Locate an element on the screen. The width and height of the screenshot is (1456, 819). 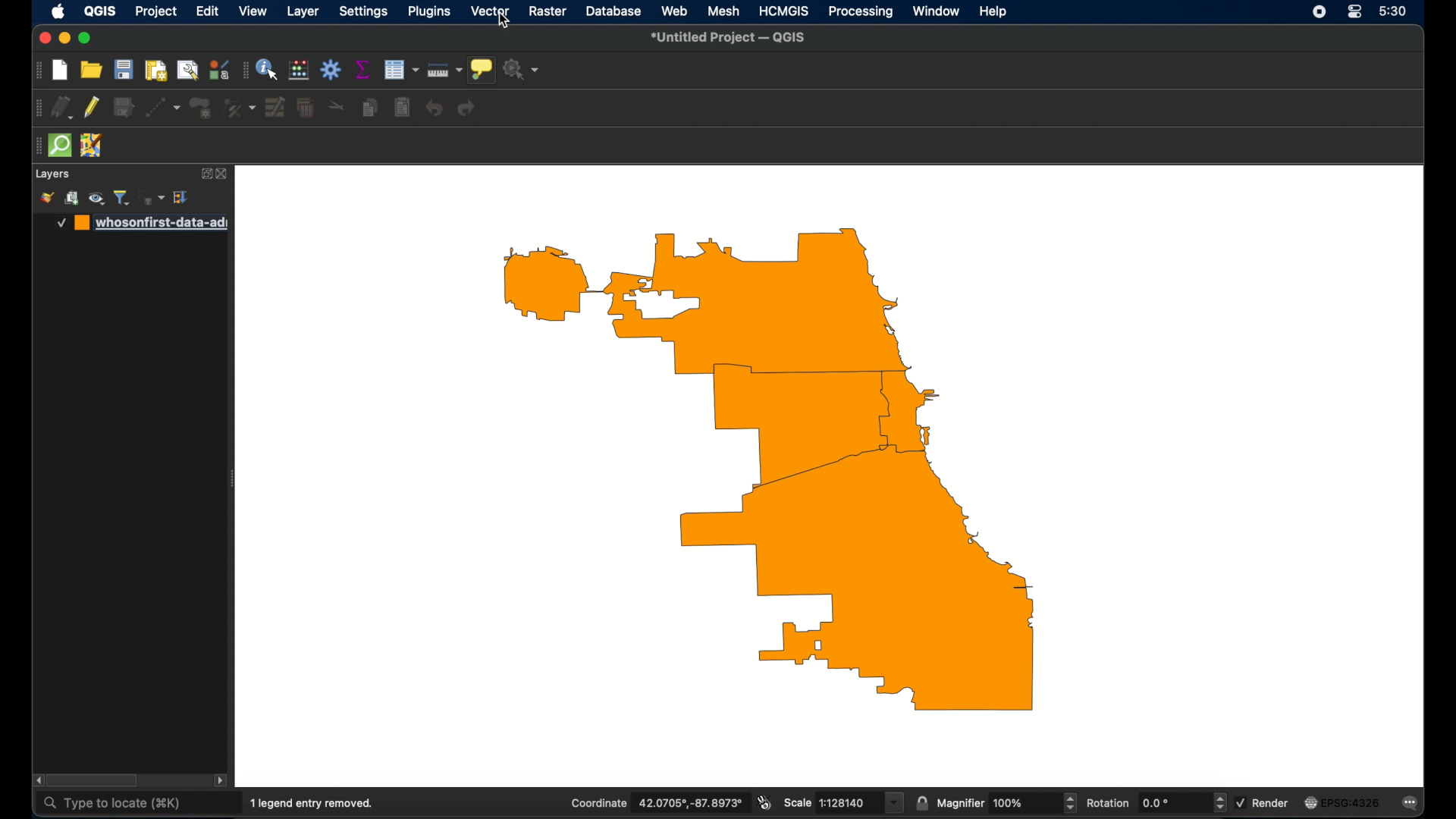
lock scale is located at coordinates (921, 803).